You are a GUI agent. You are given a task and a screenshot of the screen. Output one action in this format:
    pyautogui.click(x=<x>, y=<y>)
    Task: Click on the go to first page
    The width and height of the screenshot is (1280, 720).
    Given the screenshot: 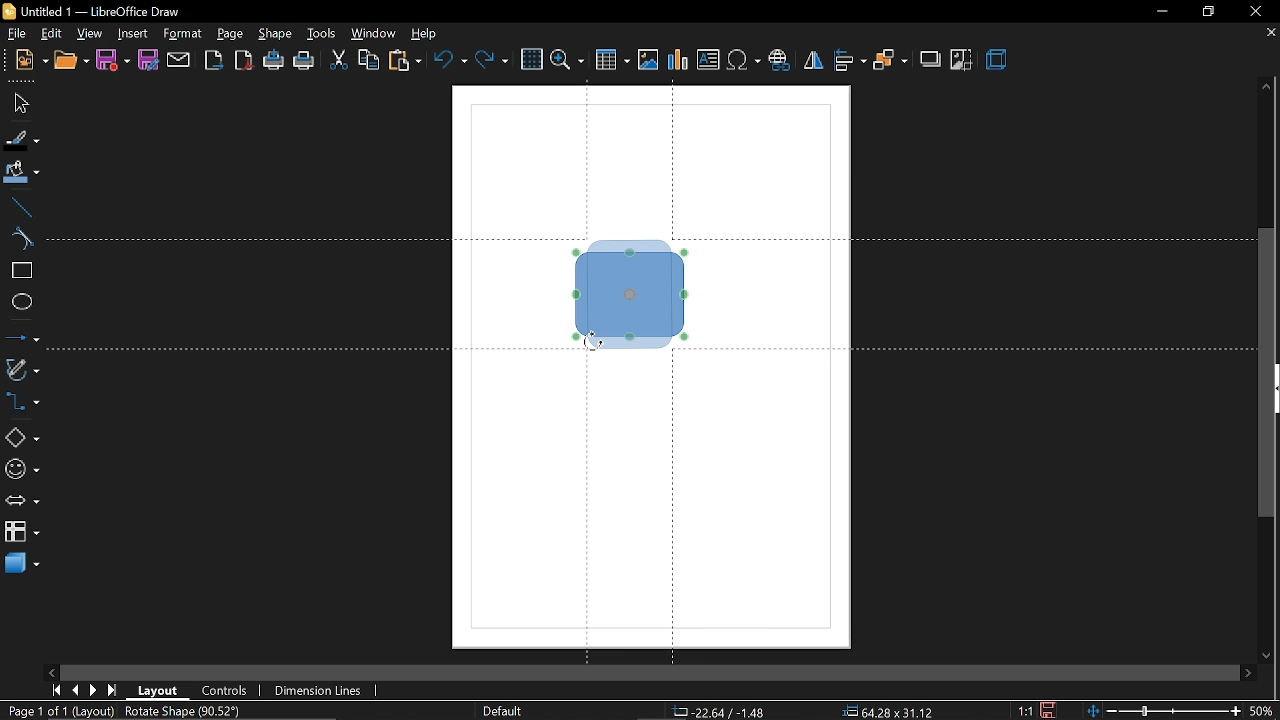 What is the action you would take?
    pyautogui.click(x=54, y=691)
    